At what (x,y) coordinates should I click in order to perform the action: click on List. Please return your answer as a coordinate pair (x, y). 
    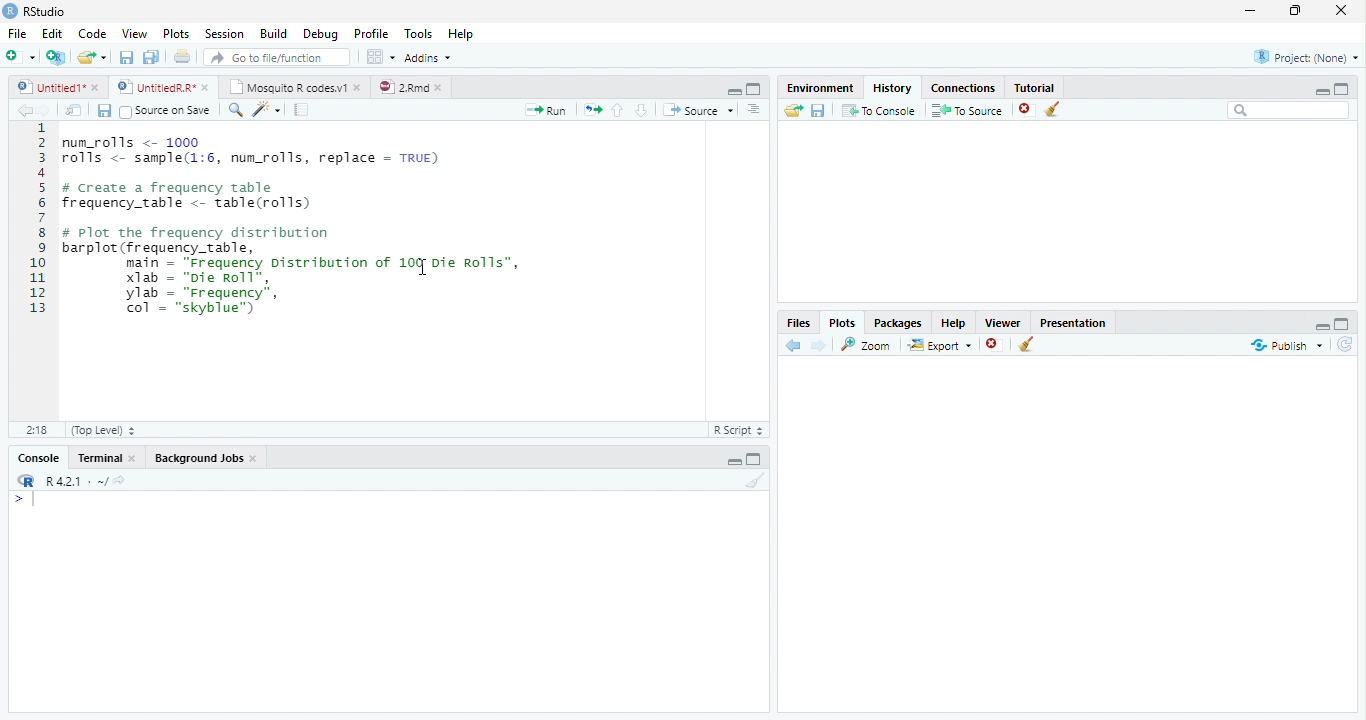
    Looking at the image, I should click on (756, 111).